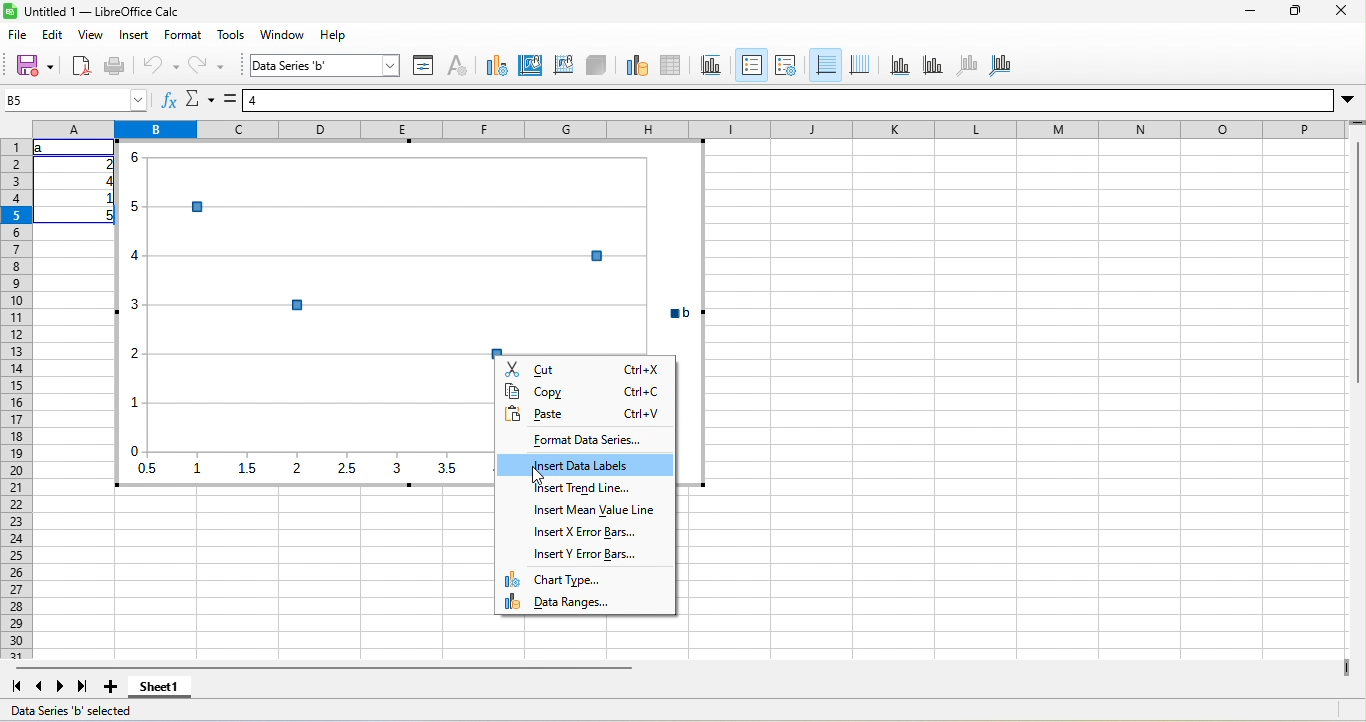  Describe the element at coordinates (497, 67) in the screenshot. I see `chart type` at that location.